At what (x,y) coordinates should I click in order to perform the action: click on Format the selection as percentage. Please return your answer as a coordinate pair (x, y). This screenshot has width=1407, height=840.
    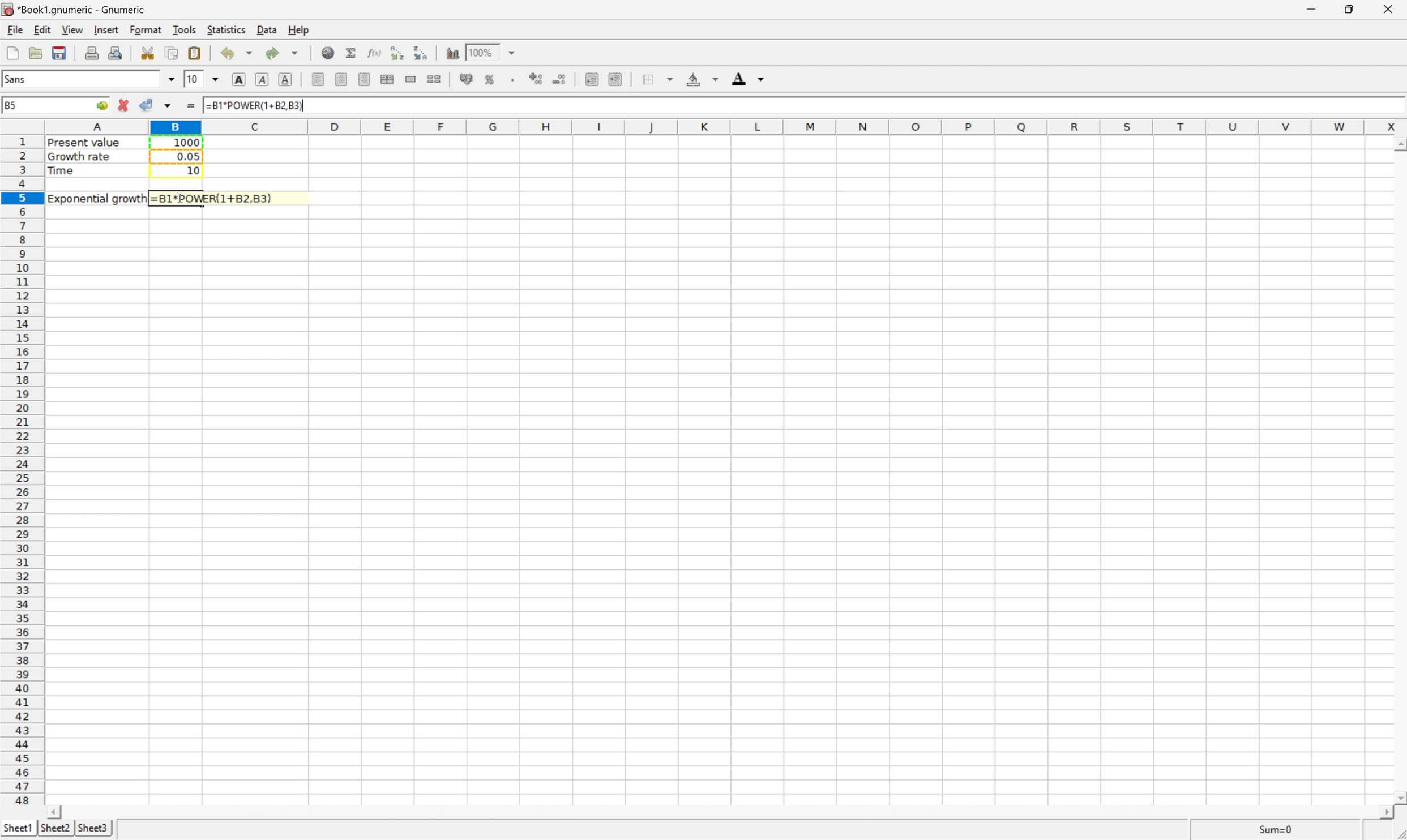
    Looking at the image, I should click on (491, 80).